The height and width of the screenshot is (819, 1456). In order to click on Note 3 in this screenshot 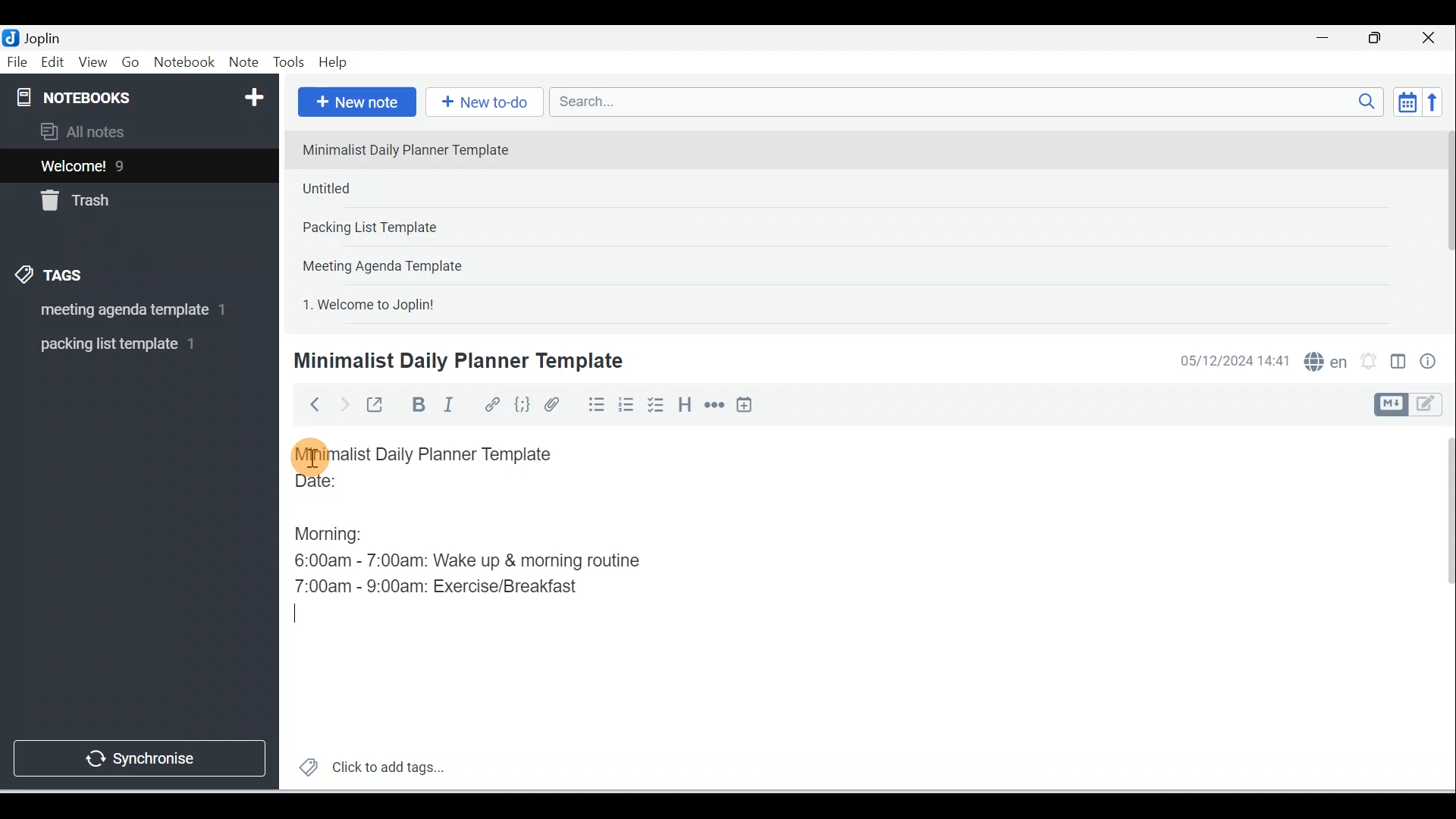, I will do `click(418, 228)`.